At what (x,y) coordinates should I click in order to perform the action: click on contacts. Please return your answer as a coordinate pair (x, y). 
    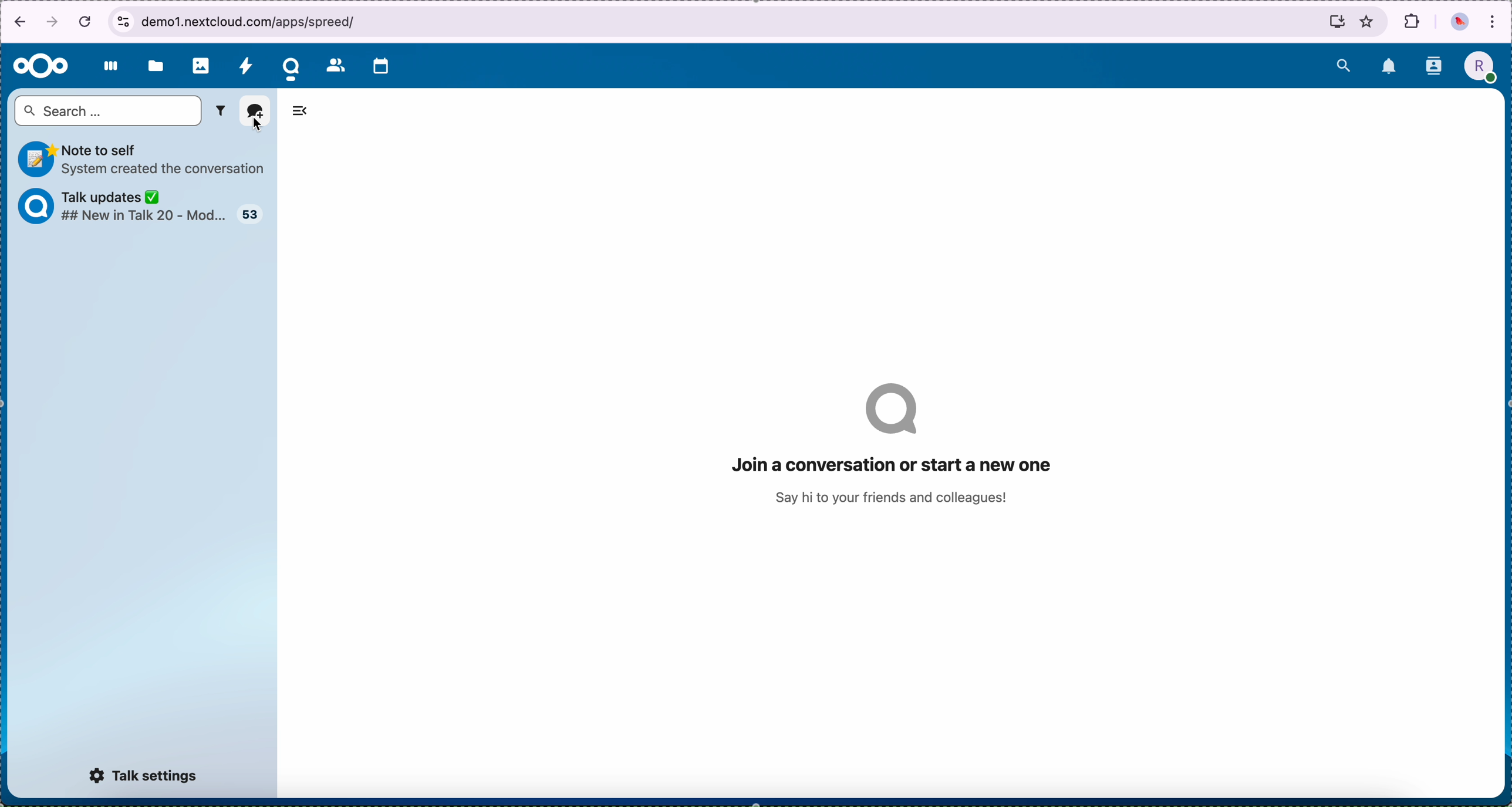
    Looking at the image, I should click on (1433, 66).